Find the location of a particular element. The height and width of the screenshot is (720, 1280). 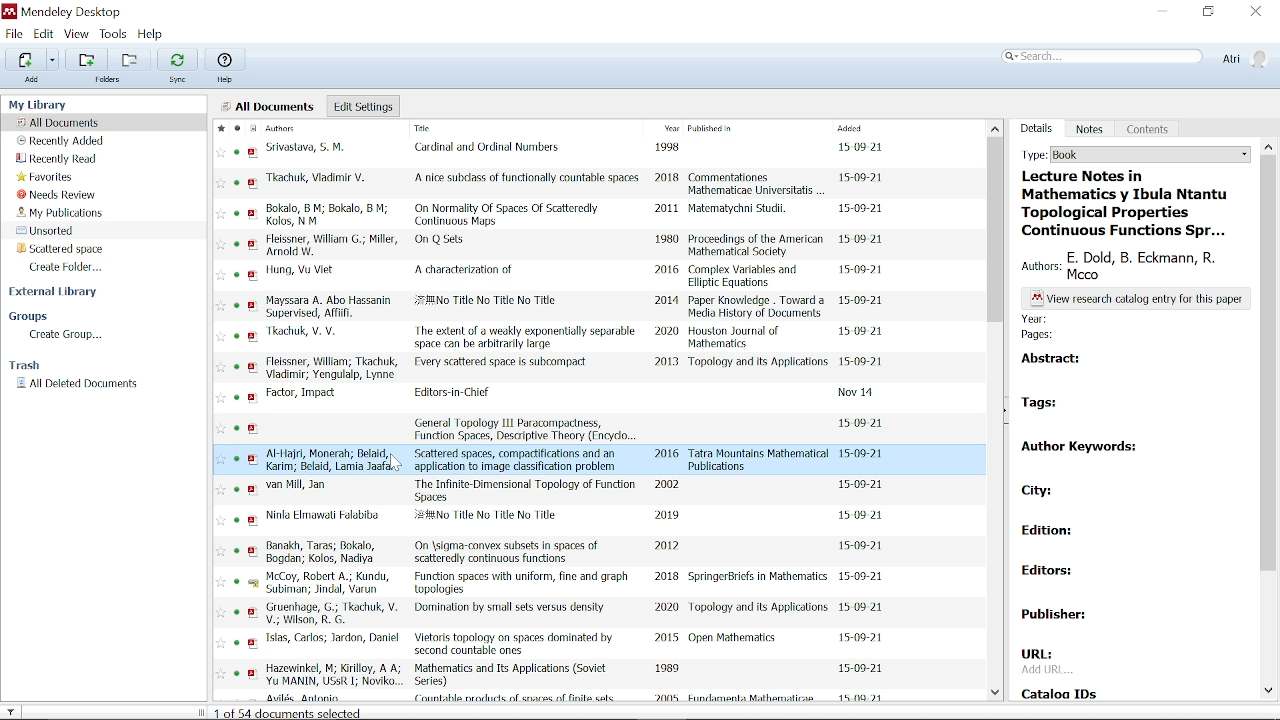

Added  is located at coordinates (867, 128).